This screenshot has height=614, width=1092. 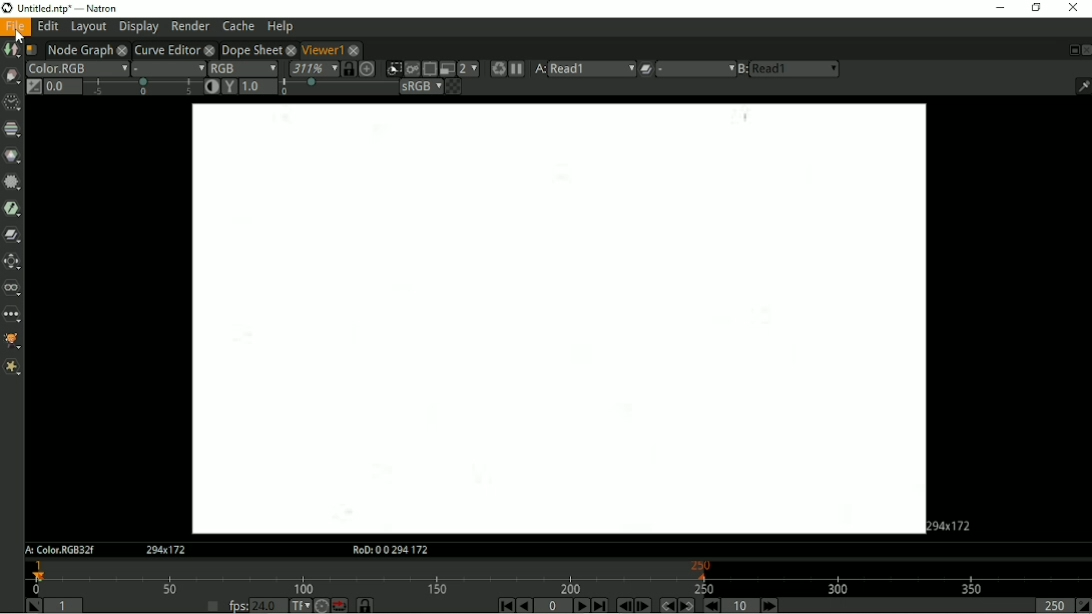 What do you see at coordinates (243, 68) in the screenshot?
I see `Display channels` at bounding box center [243, 68].